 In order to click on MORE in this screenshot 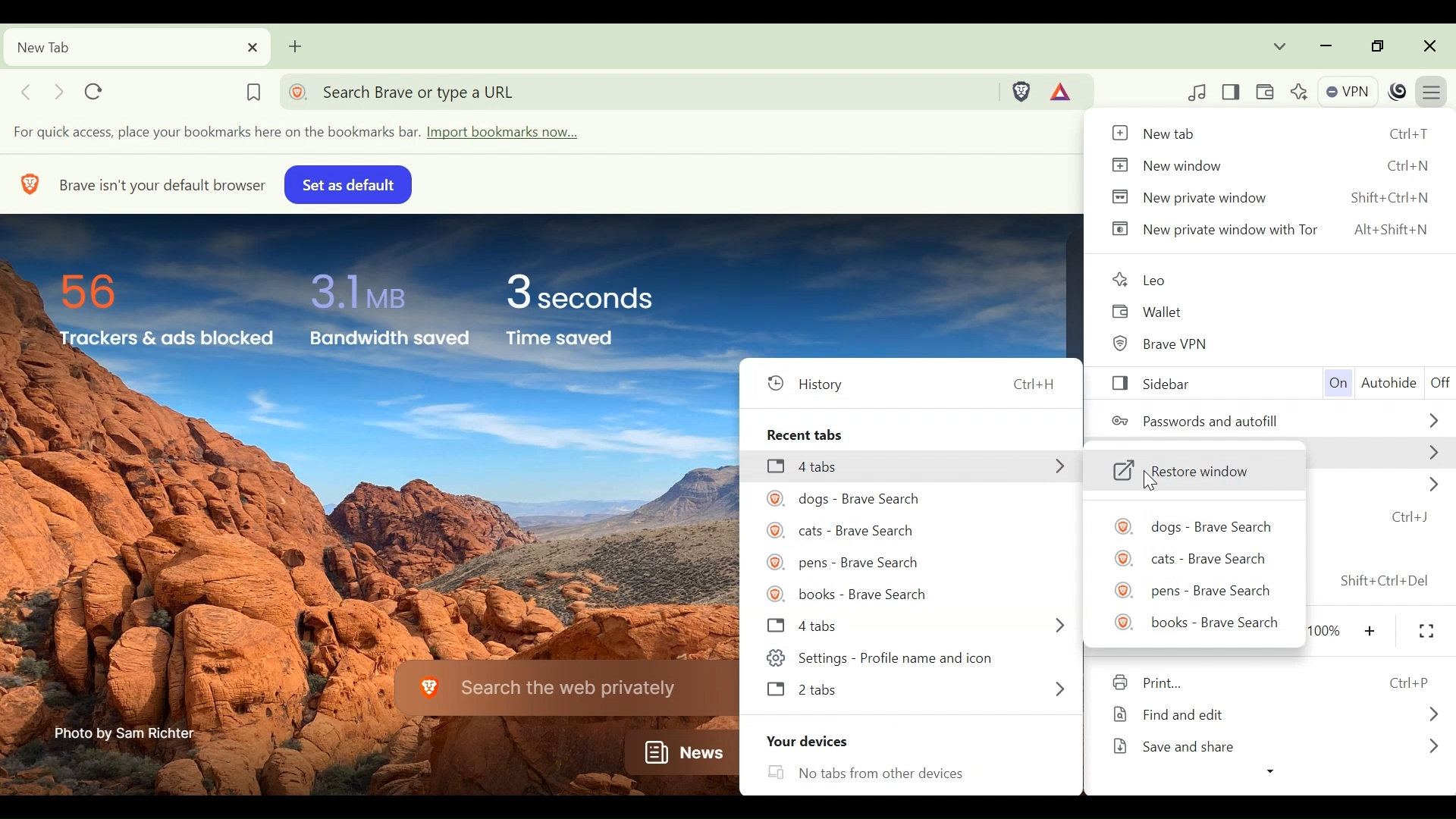, I will do `click(1432, 487)`.